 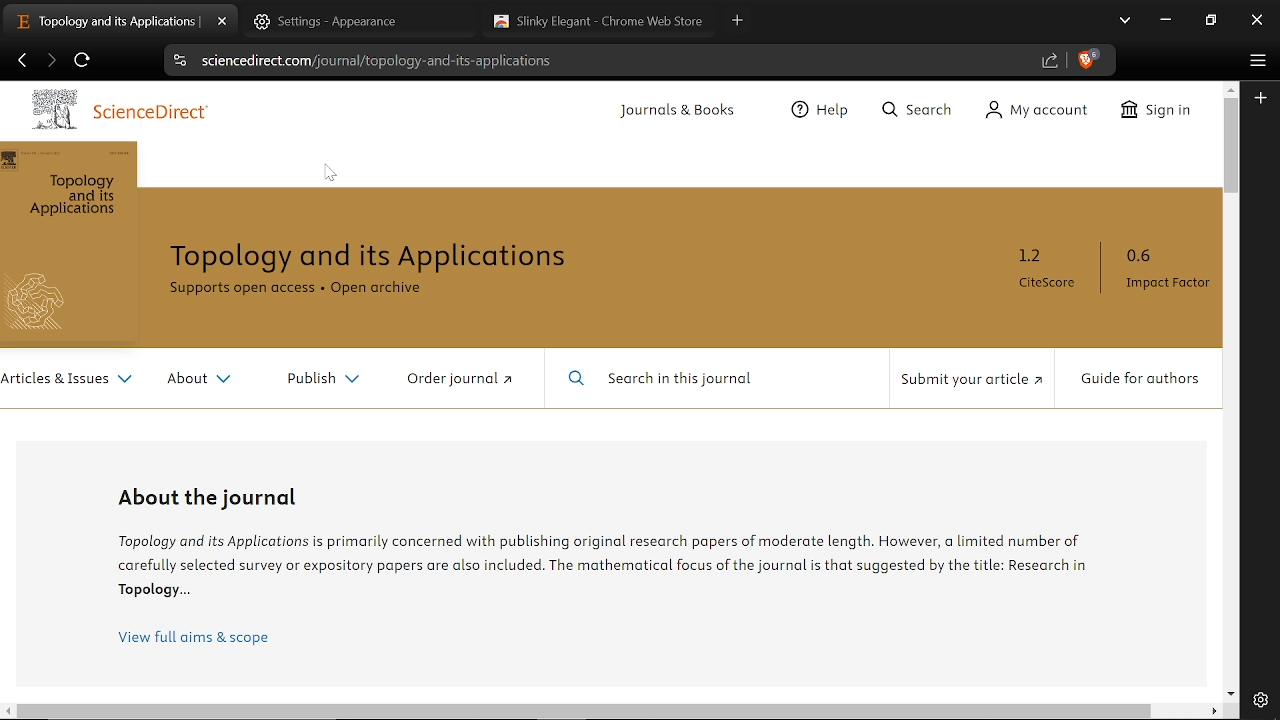 What do you see at coordinates (612, 61) in the screenshot?
I see `Cite link` at bounding box center [612, 61].